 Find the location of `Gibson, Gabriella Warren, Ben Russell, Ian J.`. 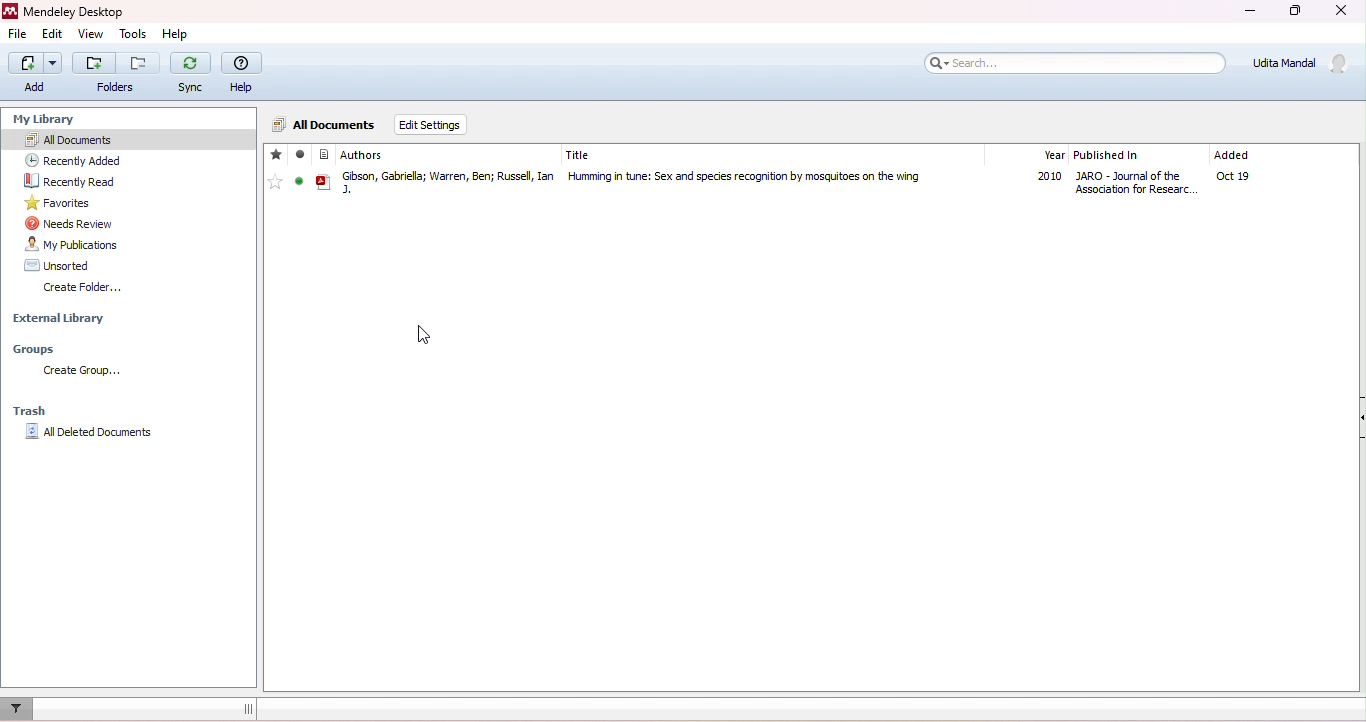

Gibson, Gabriella Warren, Ben Russell, Ian J. is located at coordinates (447, 183).